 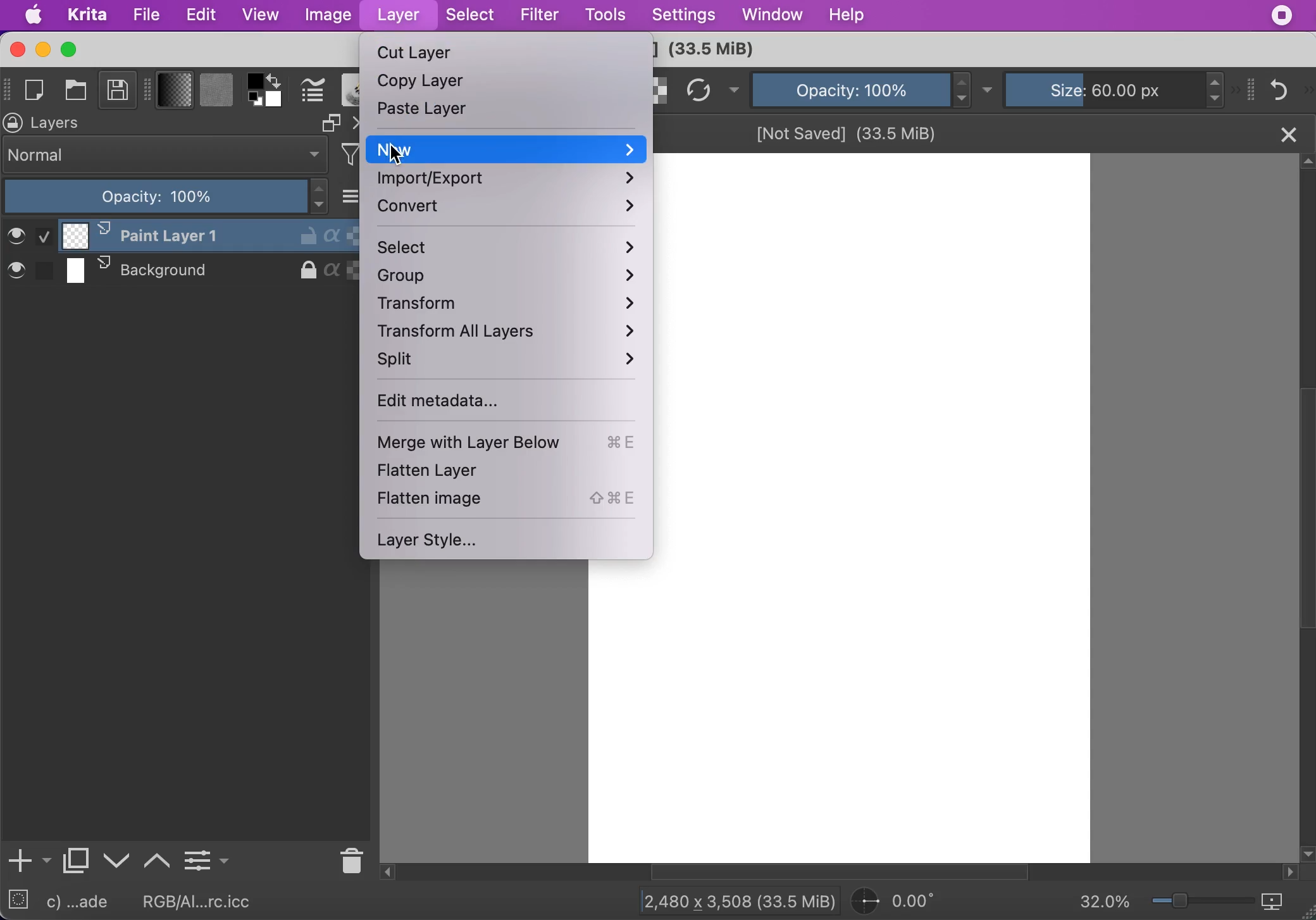 I want to click on create a new document, so click(x=38, y=90).